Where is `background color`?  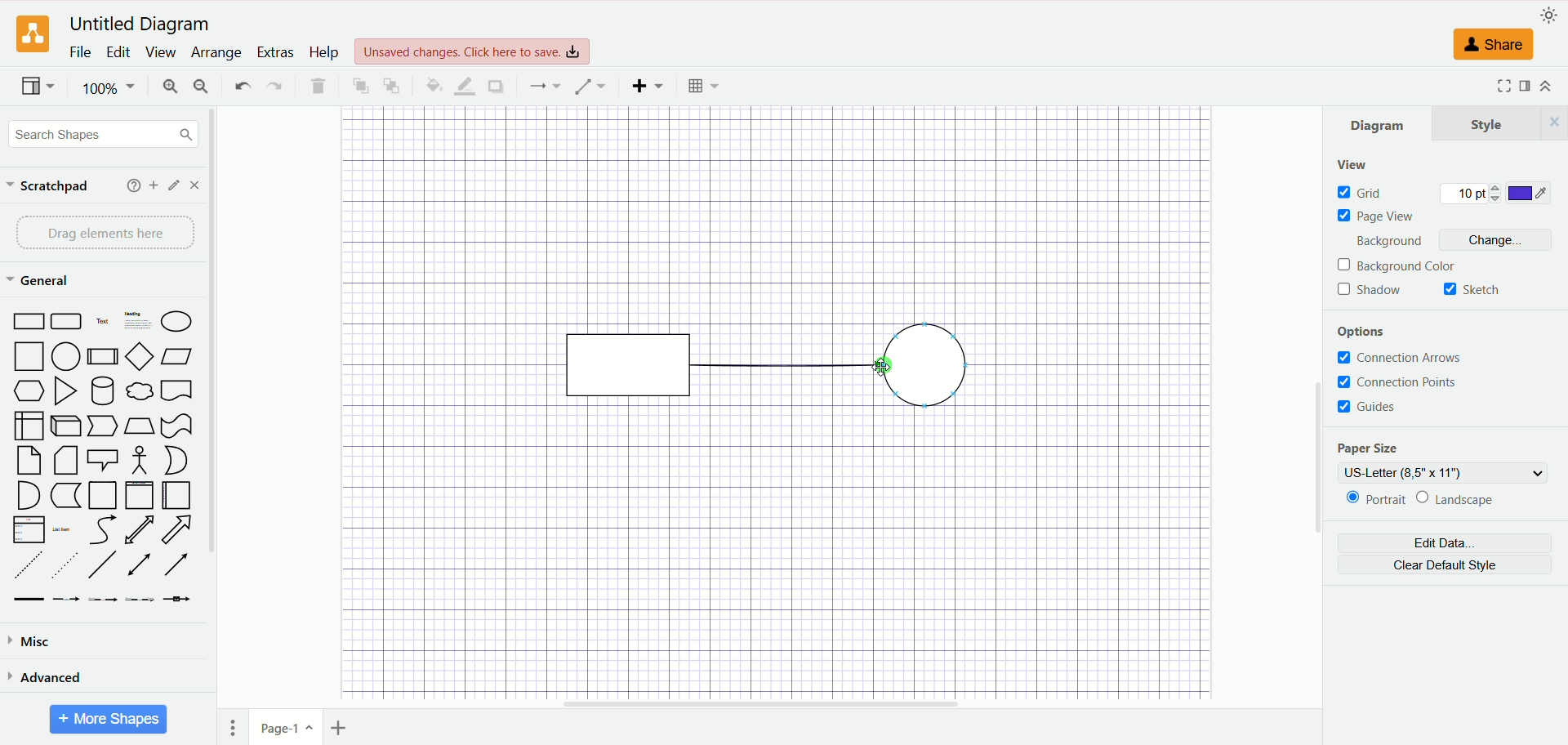
background color is located at coordinates (1398, 265).